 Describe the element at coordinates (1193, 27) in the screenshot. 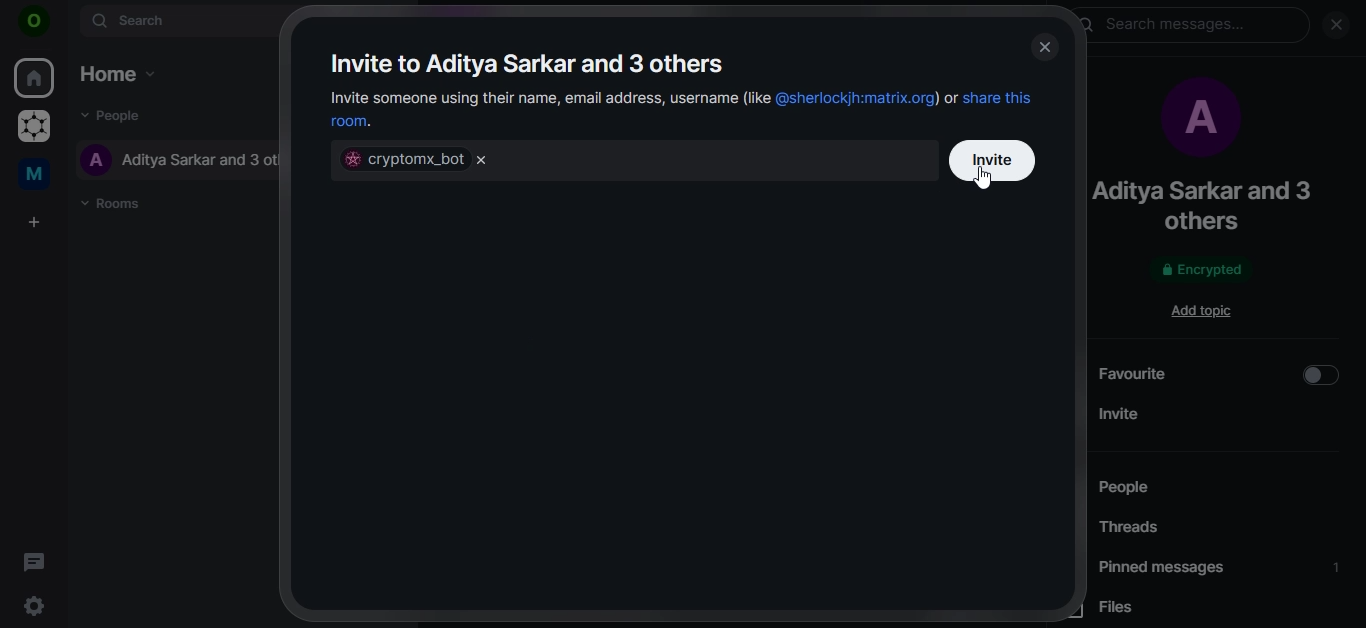

I see `search messages` at that location.